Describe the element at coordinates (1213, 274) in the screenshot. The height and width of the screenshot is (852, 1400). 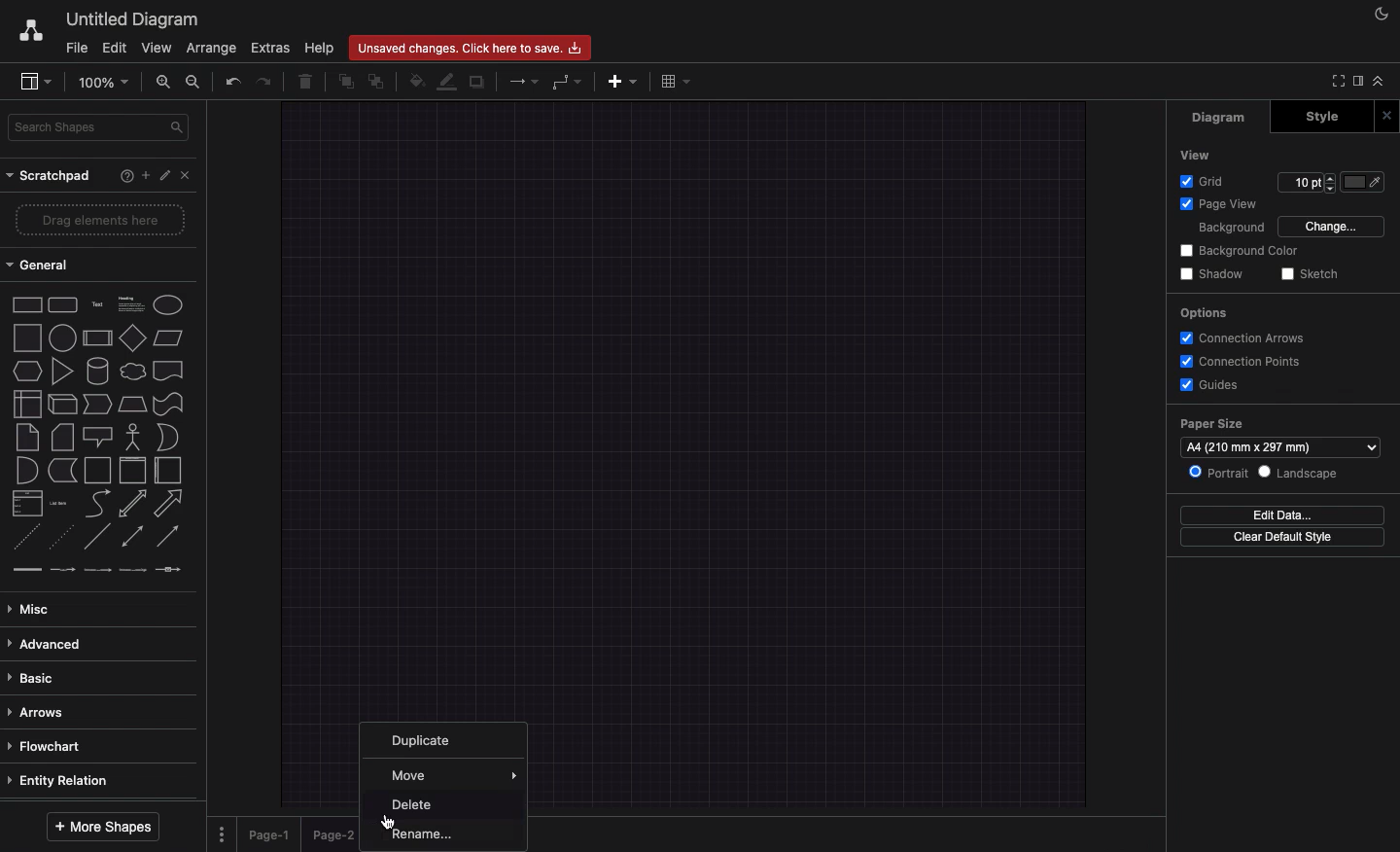
I see `Shadow` at that location.